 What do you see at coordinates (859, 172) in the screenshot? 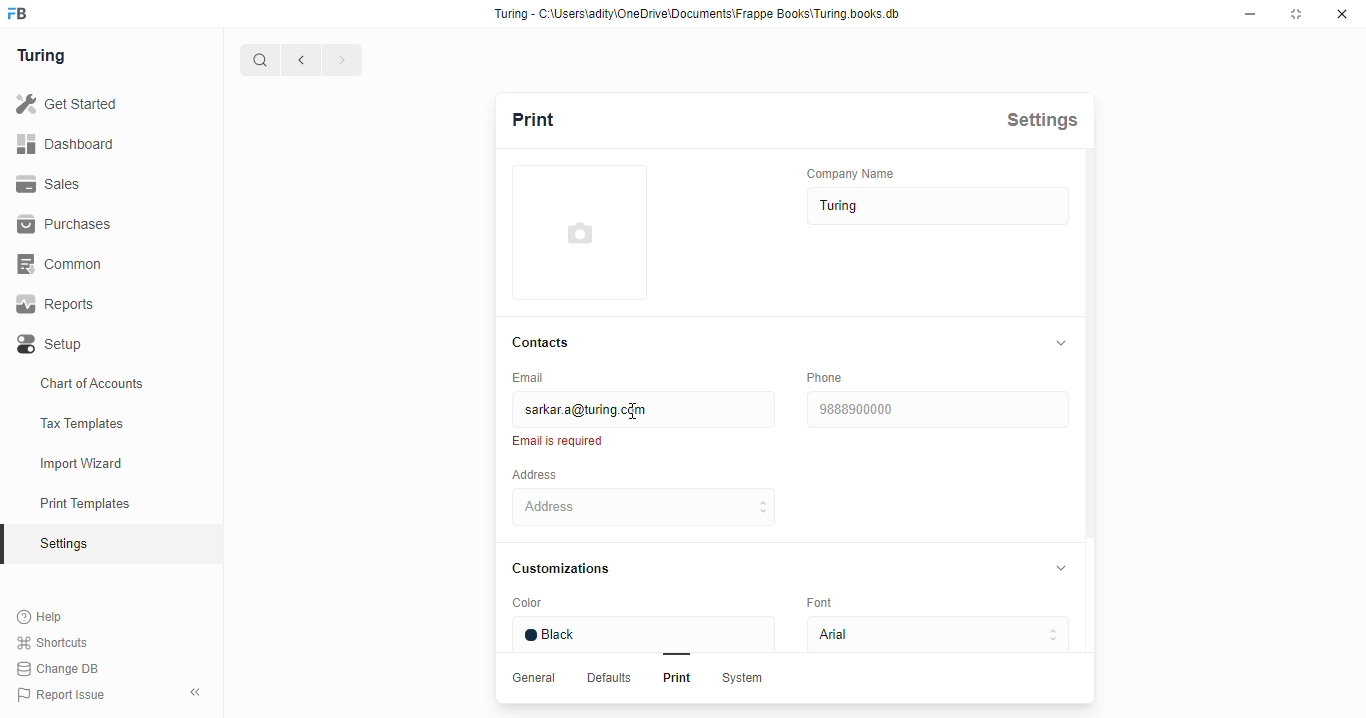
I see `‘Company Name` at bounding box center [859, 172].